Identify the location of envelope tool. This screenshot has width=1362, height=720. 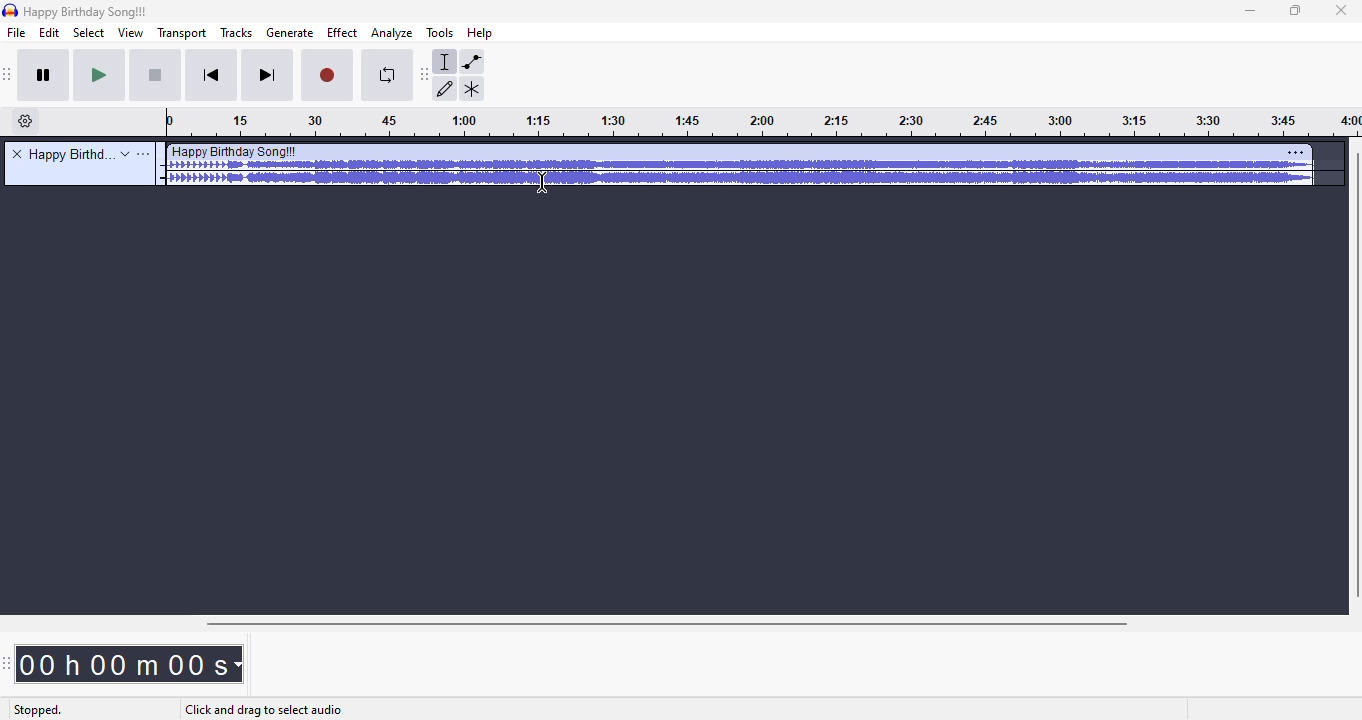
(472, 62).